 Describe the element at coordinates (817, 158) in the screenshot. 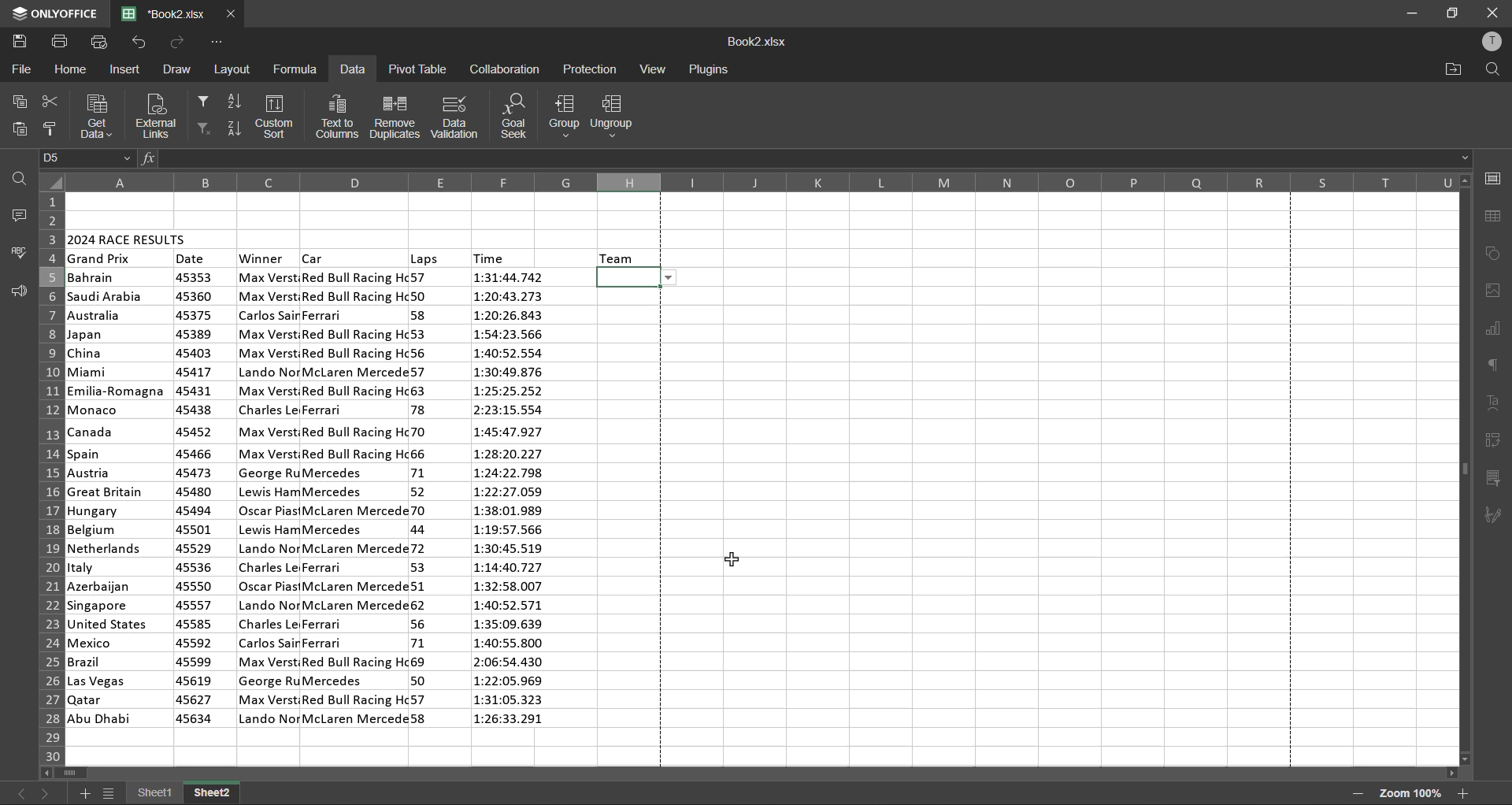

I see `formula bar` at that location.